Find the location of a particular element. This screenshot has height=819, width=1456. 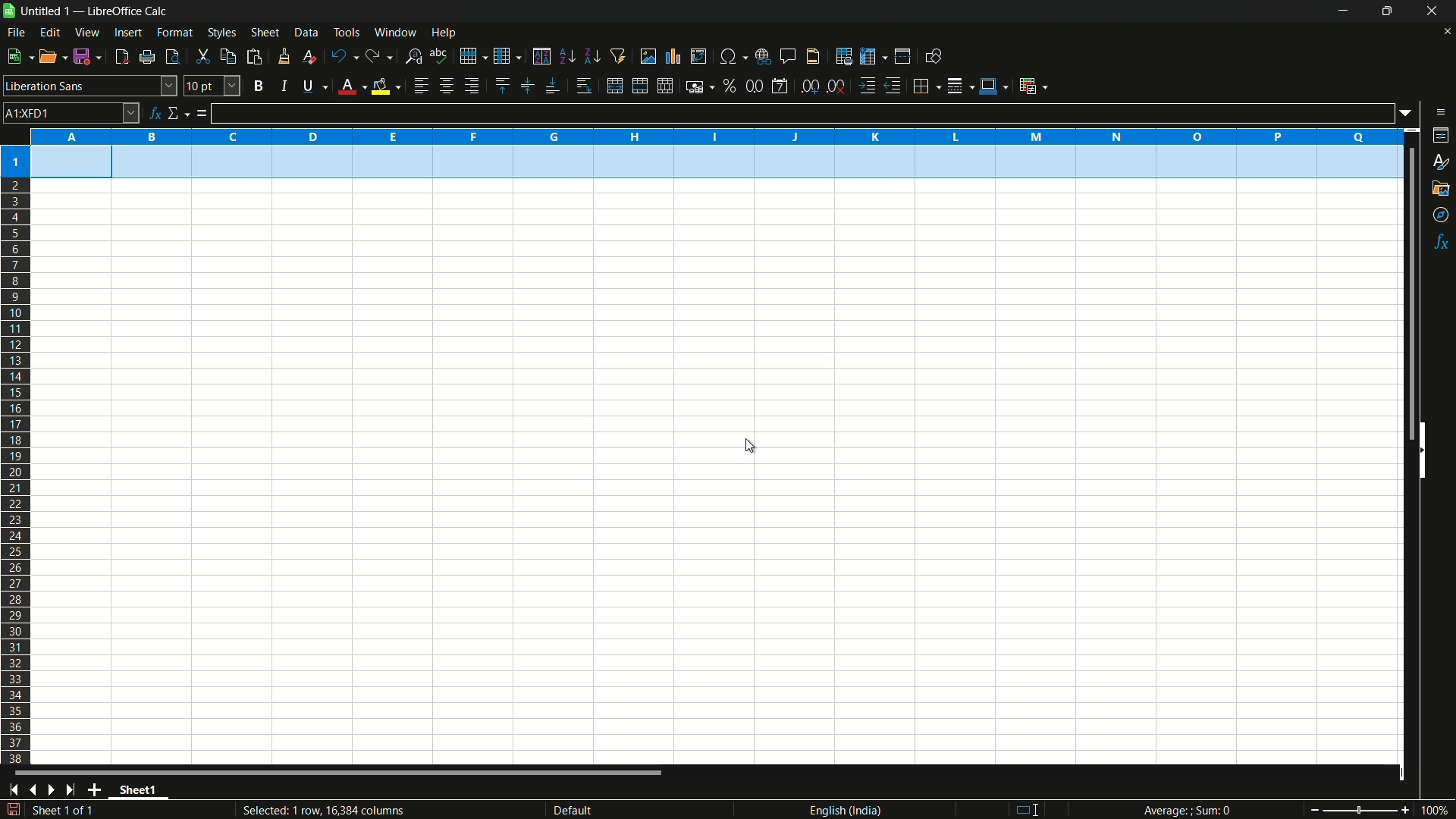

cut is located at coordinates (202, 56).